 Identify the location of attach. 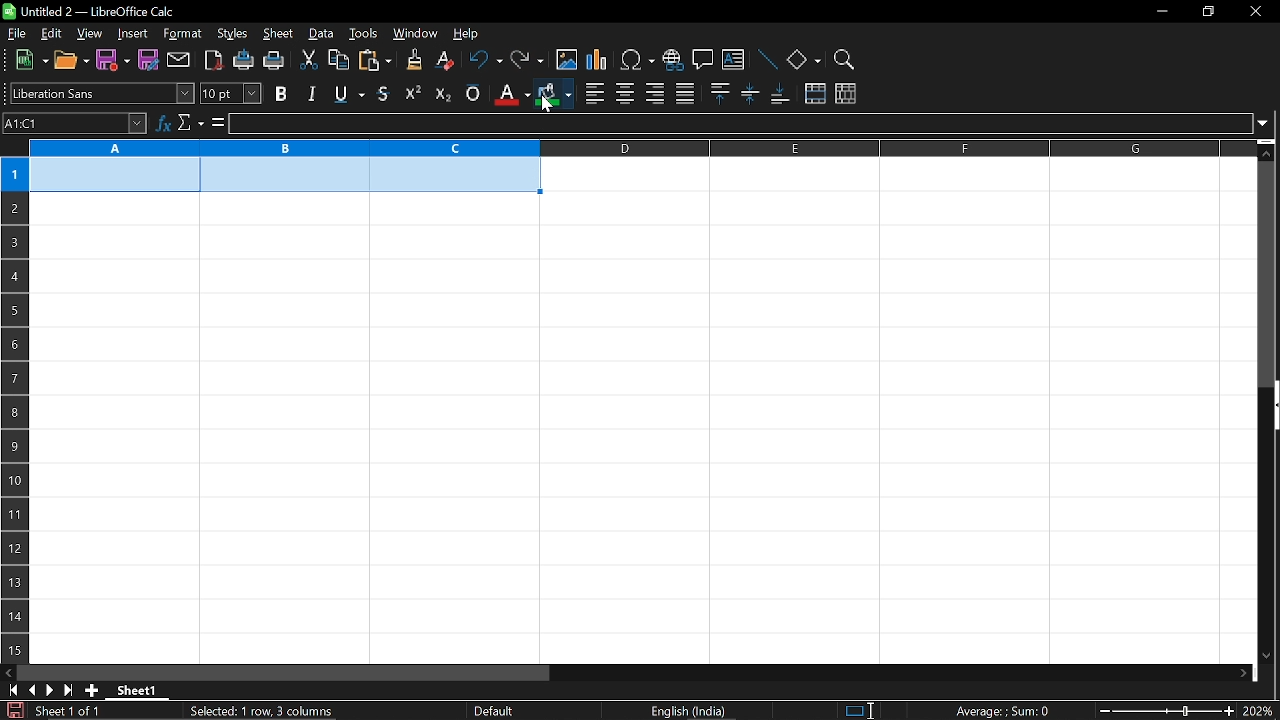
(177, 59).